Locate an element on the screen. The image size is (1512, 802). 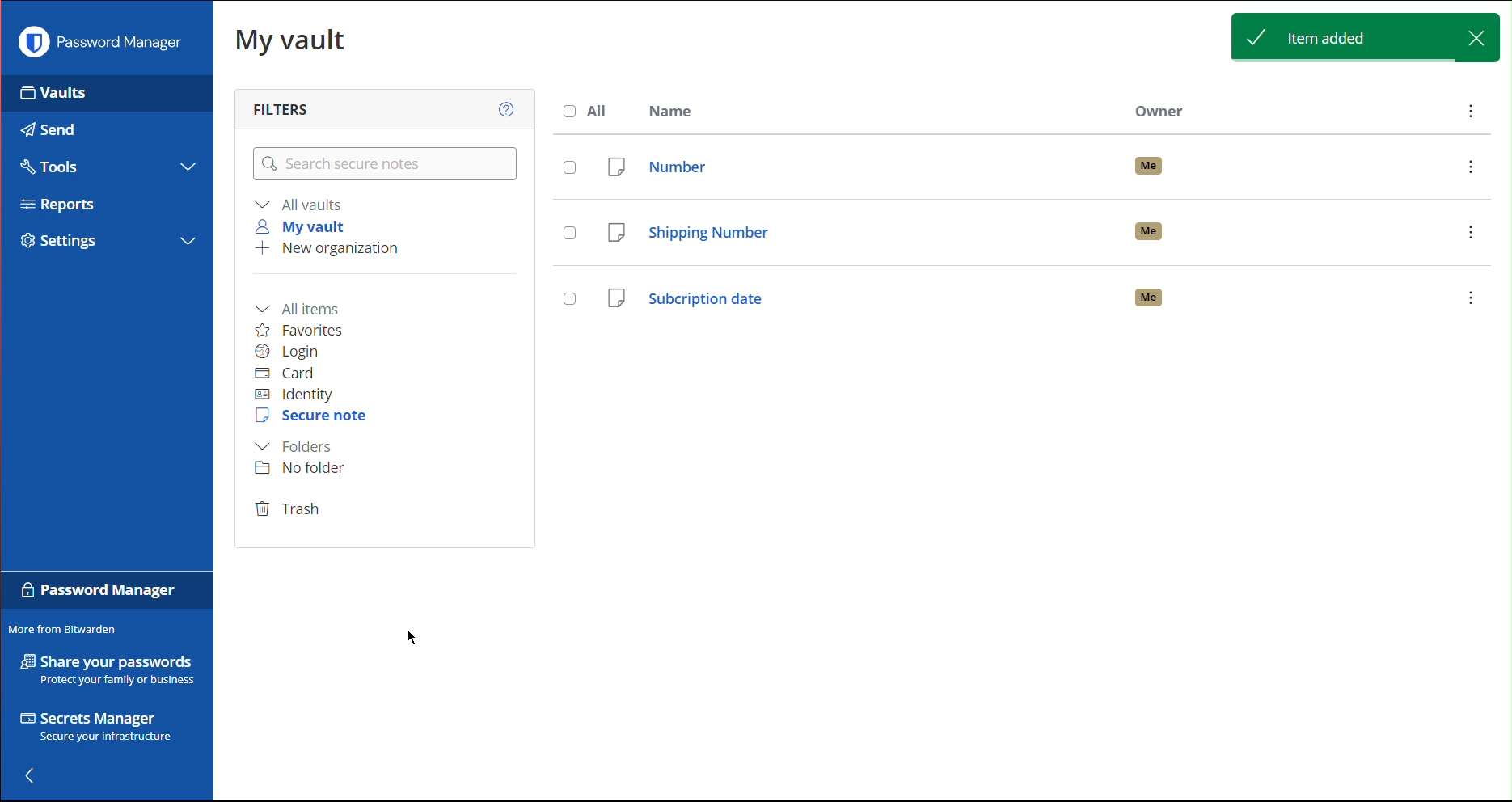
Login is located at coordinates (291, 352).